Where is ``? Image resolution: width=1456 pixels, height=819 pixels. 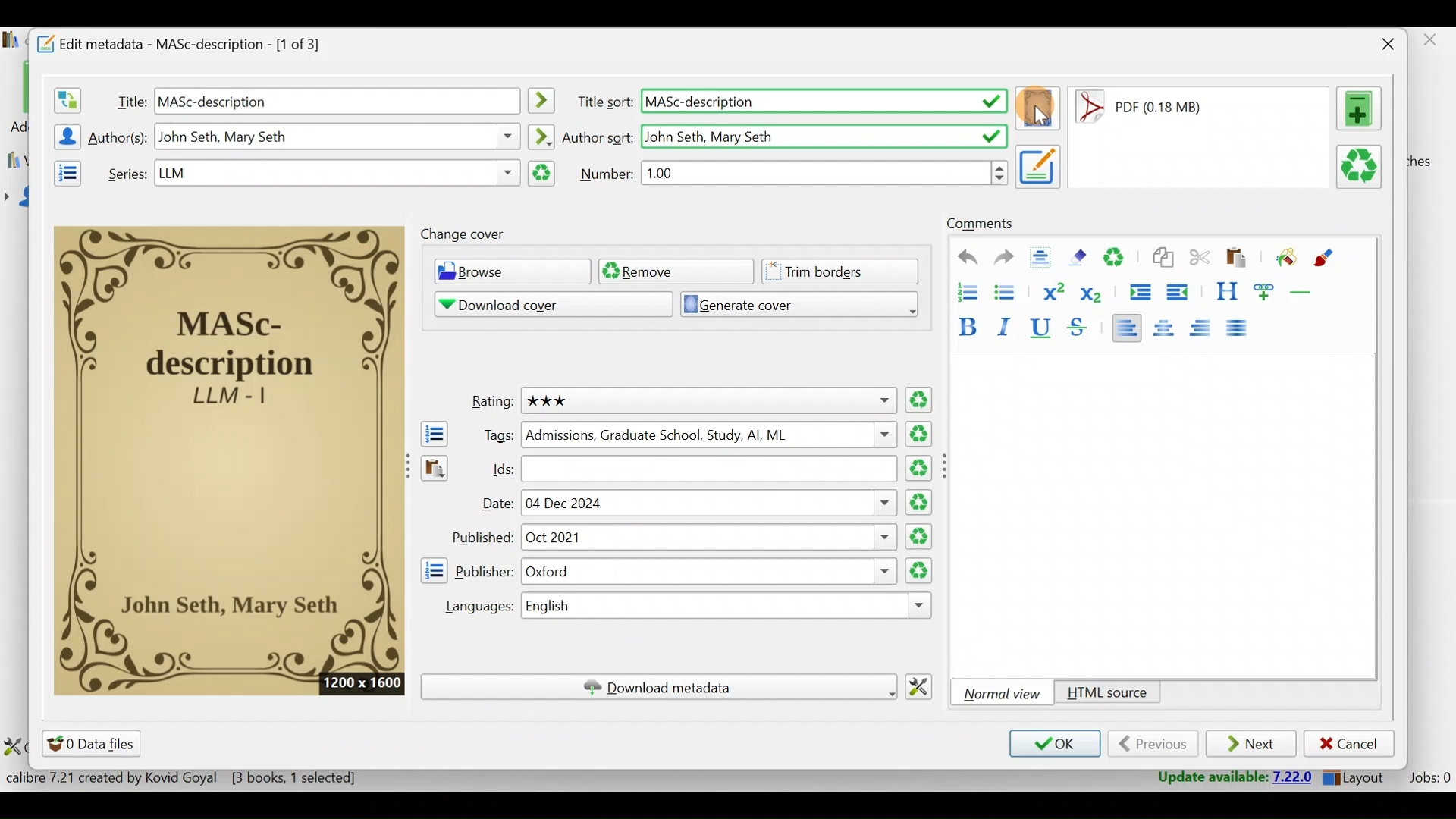
 is located at coordinates (948, 466).